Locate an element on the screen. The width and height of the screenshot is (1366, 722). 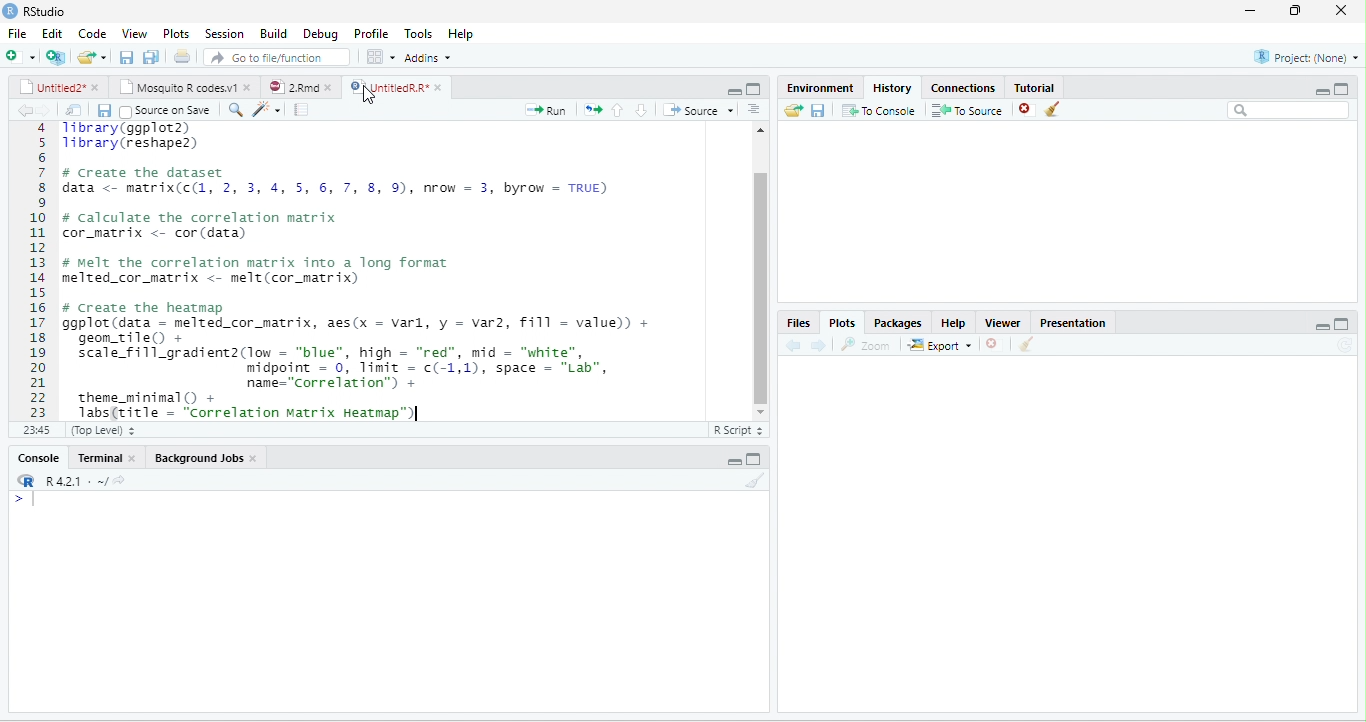
document is located at coordinates (181, 56).